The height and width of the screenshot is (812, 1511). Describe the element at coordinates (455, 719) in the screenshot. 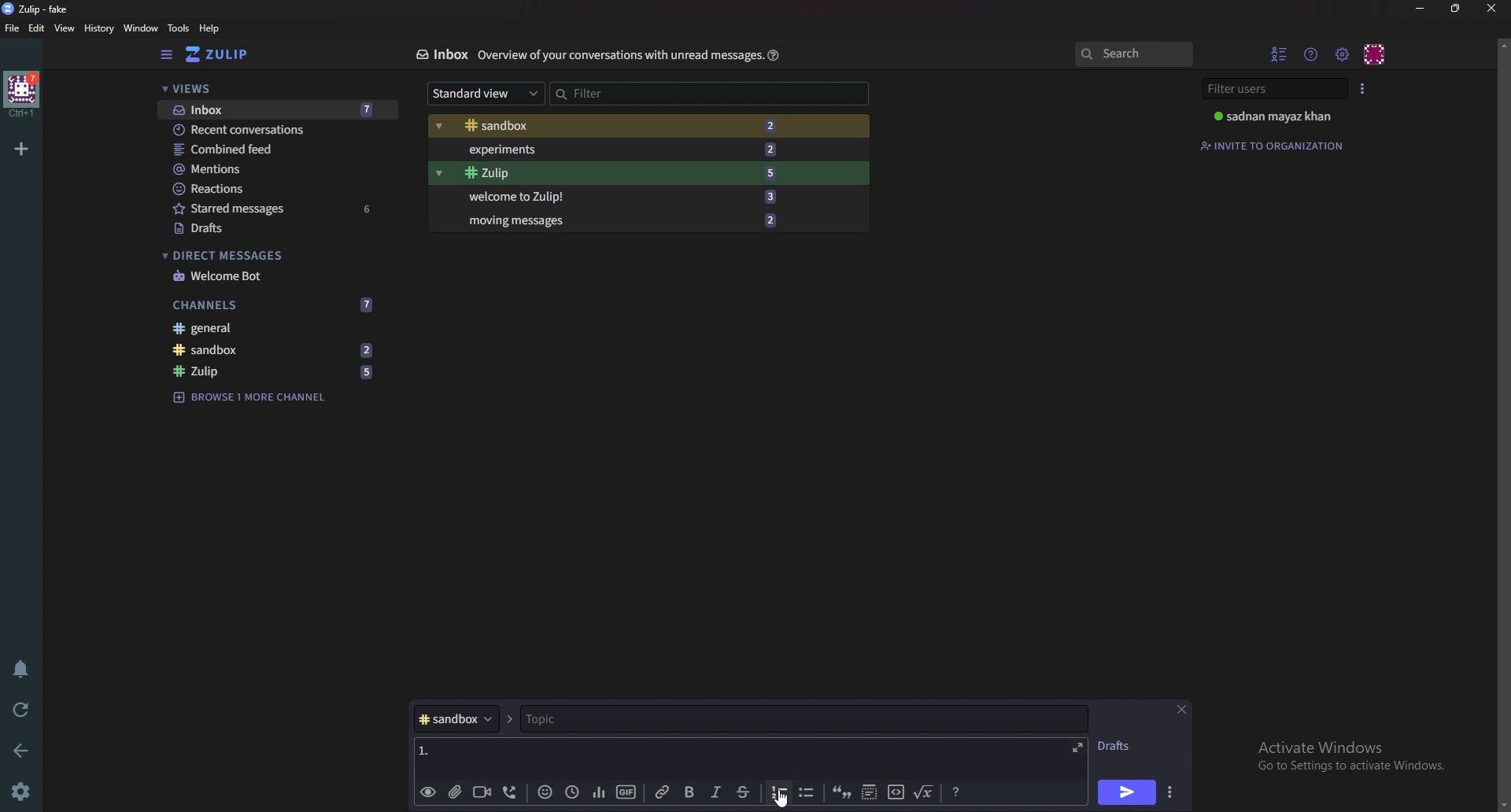

I see `Channel` at that location.